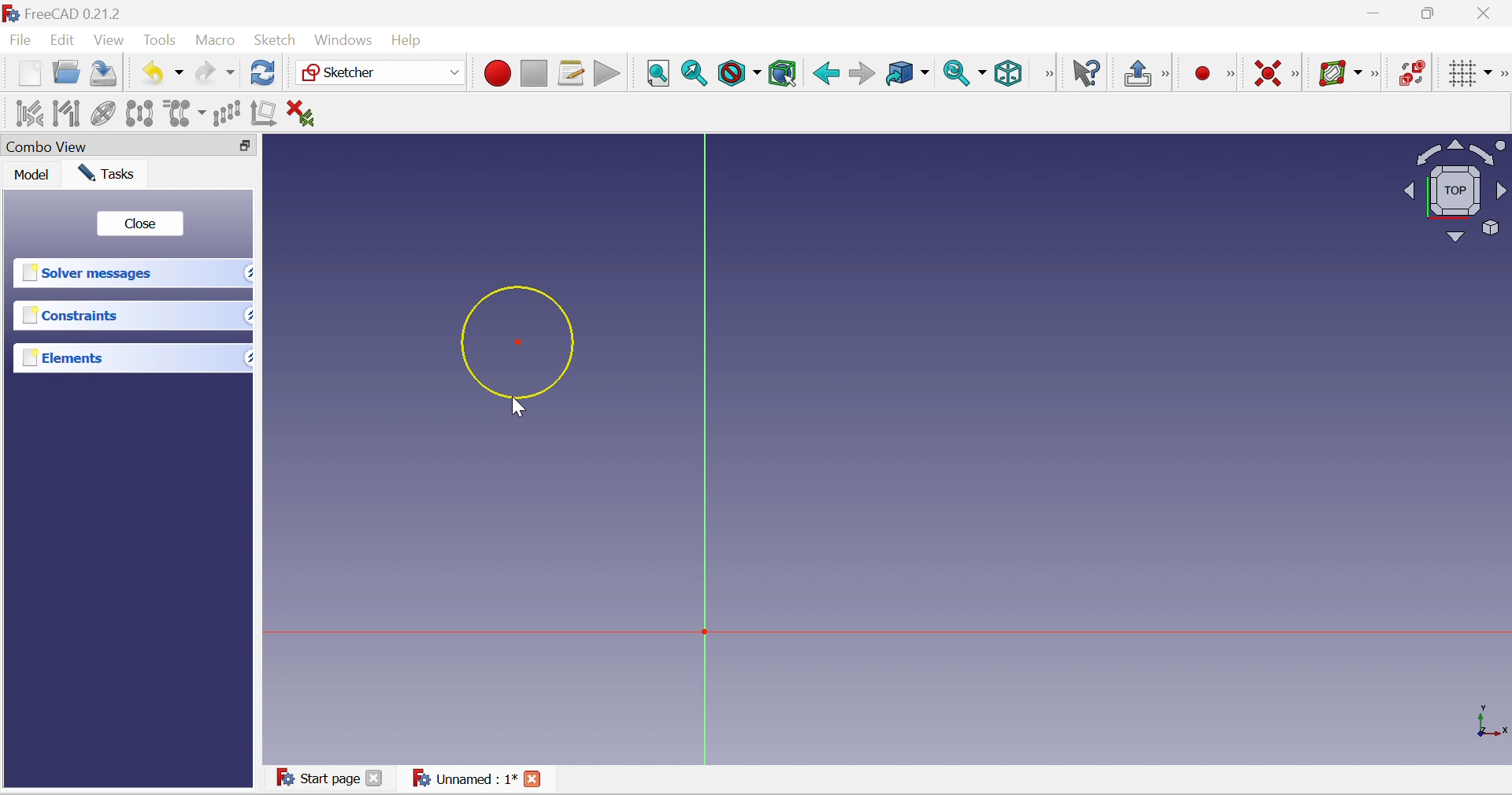 The height and width of the screenshot is (795, 1512). What do you see at coordinates (249, 312) in the screenshot?
I see `Drop down` at bounding box center [249, 312].